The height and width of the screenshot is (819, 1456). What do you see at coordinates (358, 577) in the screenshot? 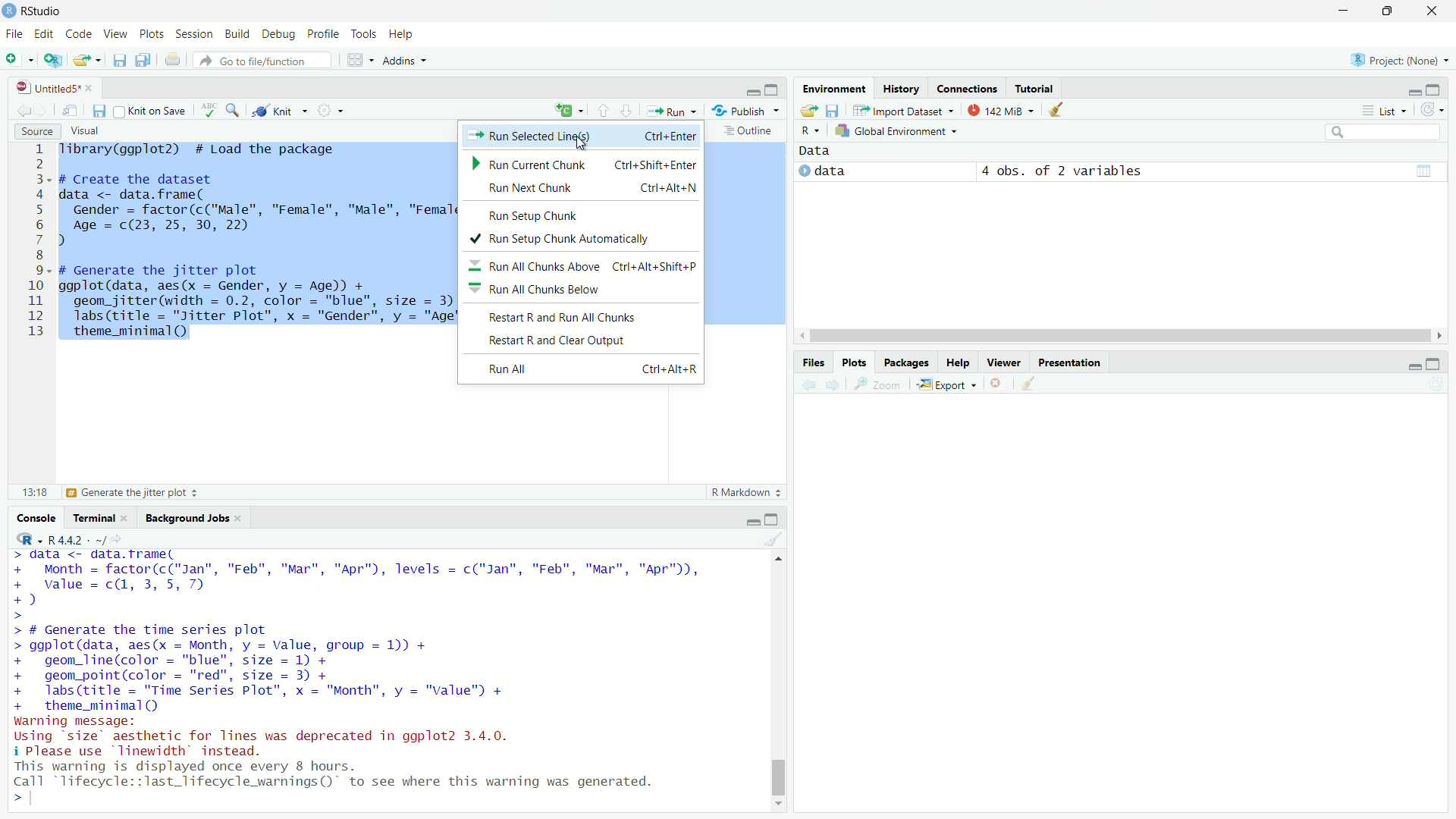
I see `month data` at bounding box center [358, 577].